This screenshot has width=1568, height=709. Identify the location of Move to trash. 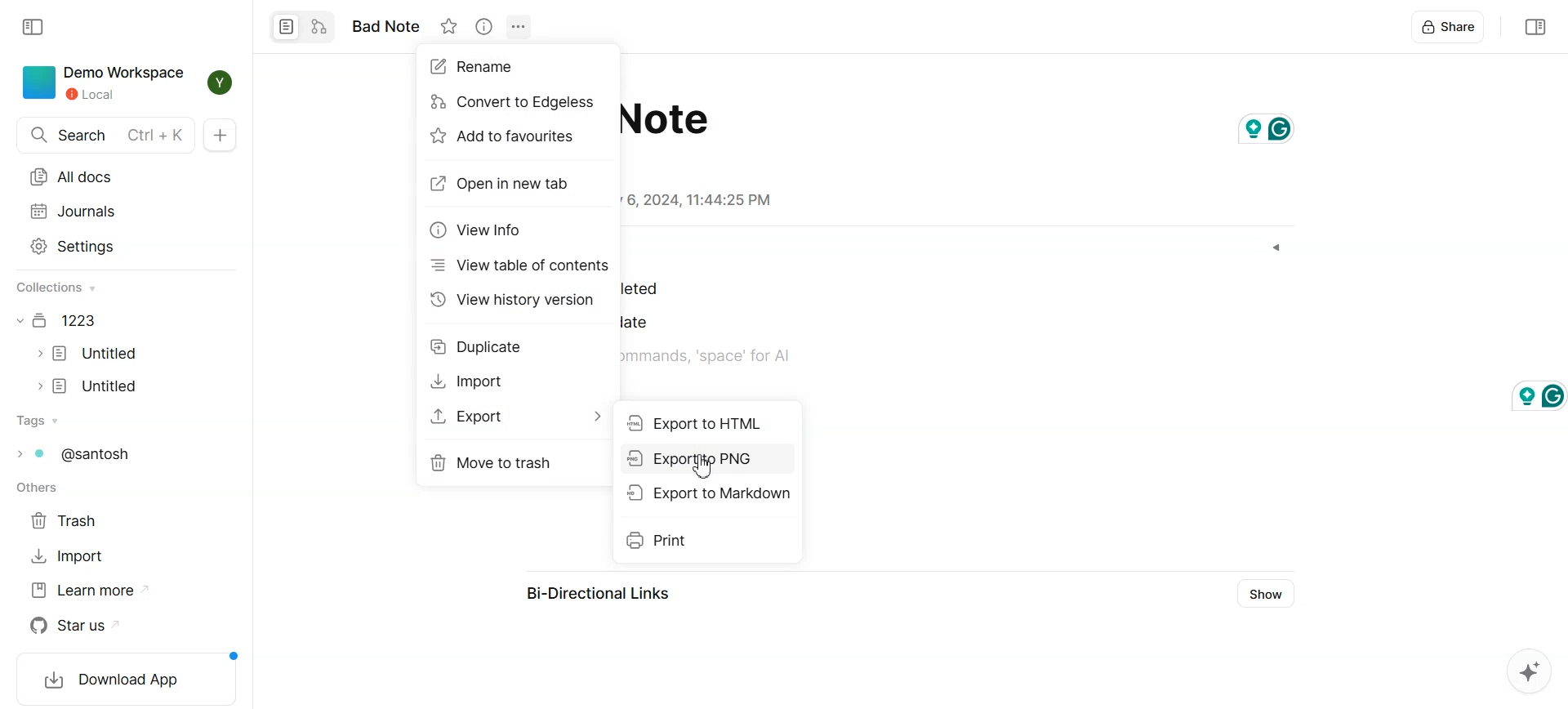
(518, 463).